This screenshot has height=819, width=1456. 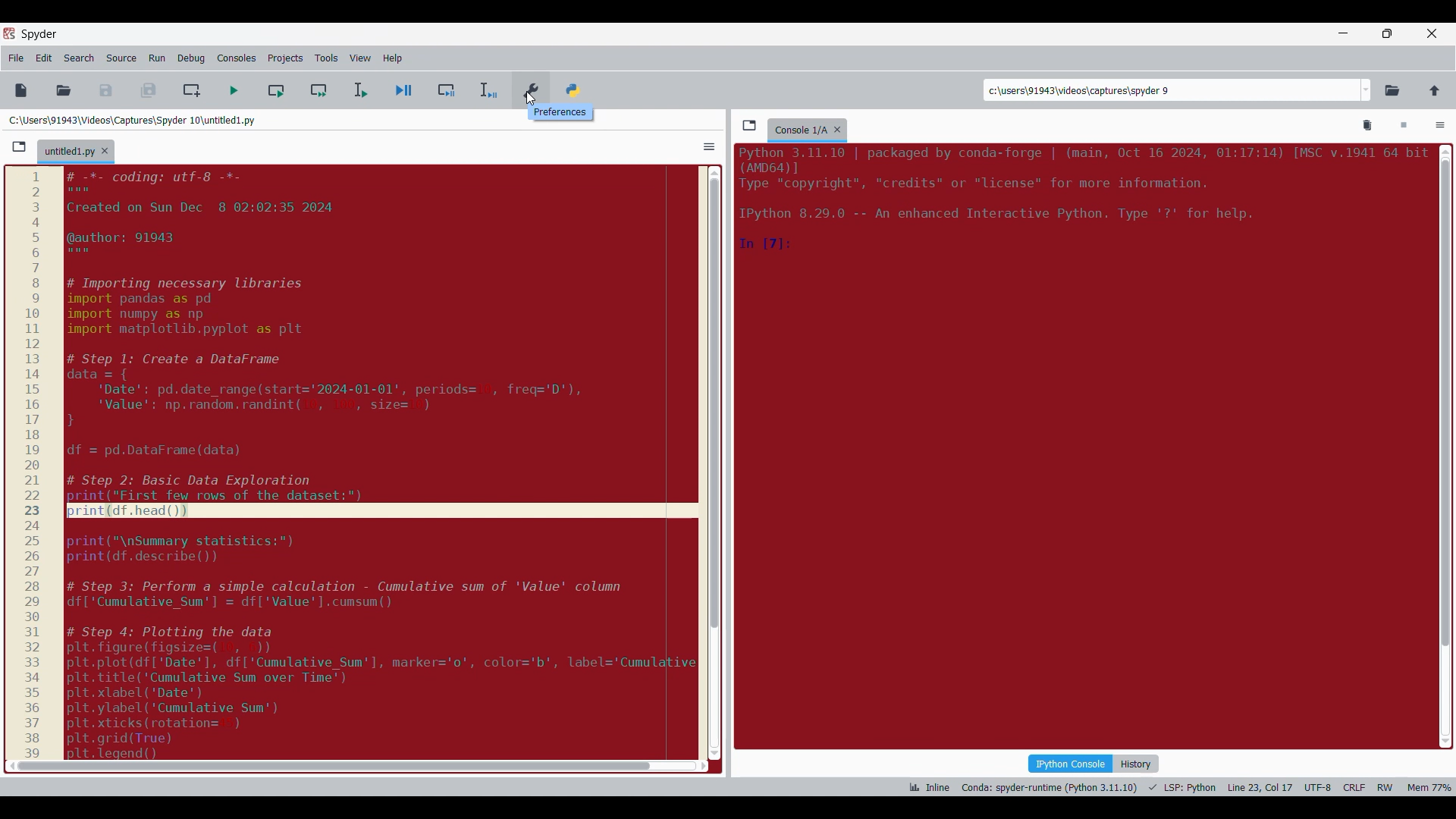 I want to click on Create new cell at current line, so click(x=192, y=90).